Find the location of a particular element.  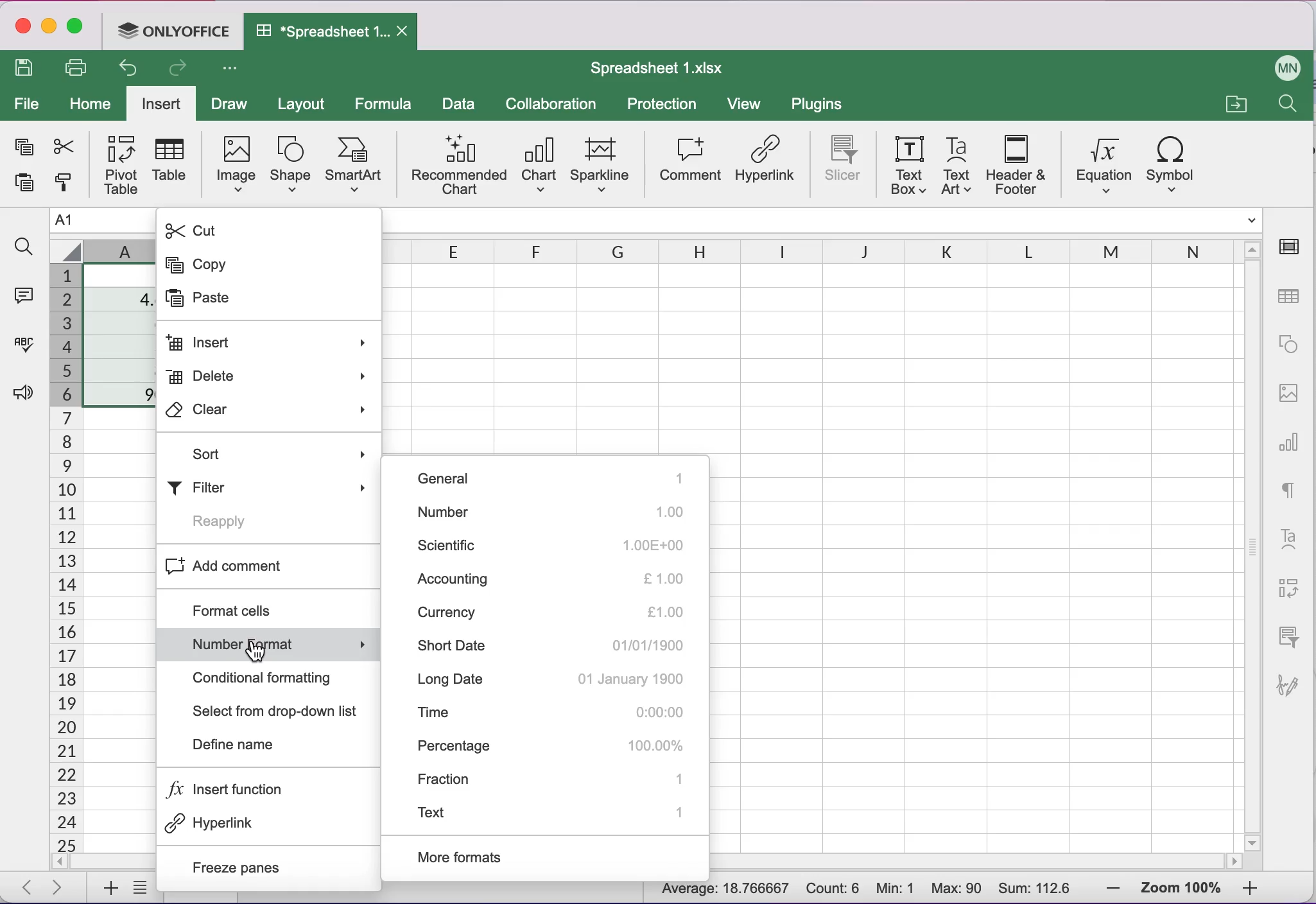

text is located at coordinates (553, 812).